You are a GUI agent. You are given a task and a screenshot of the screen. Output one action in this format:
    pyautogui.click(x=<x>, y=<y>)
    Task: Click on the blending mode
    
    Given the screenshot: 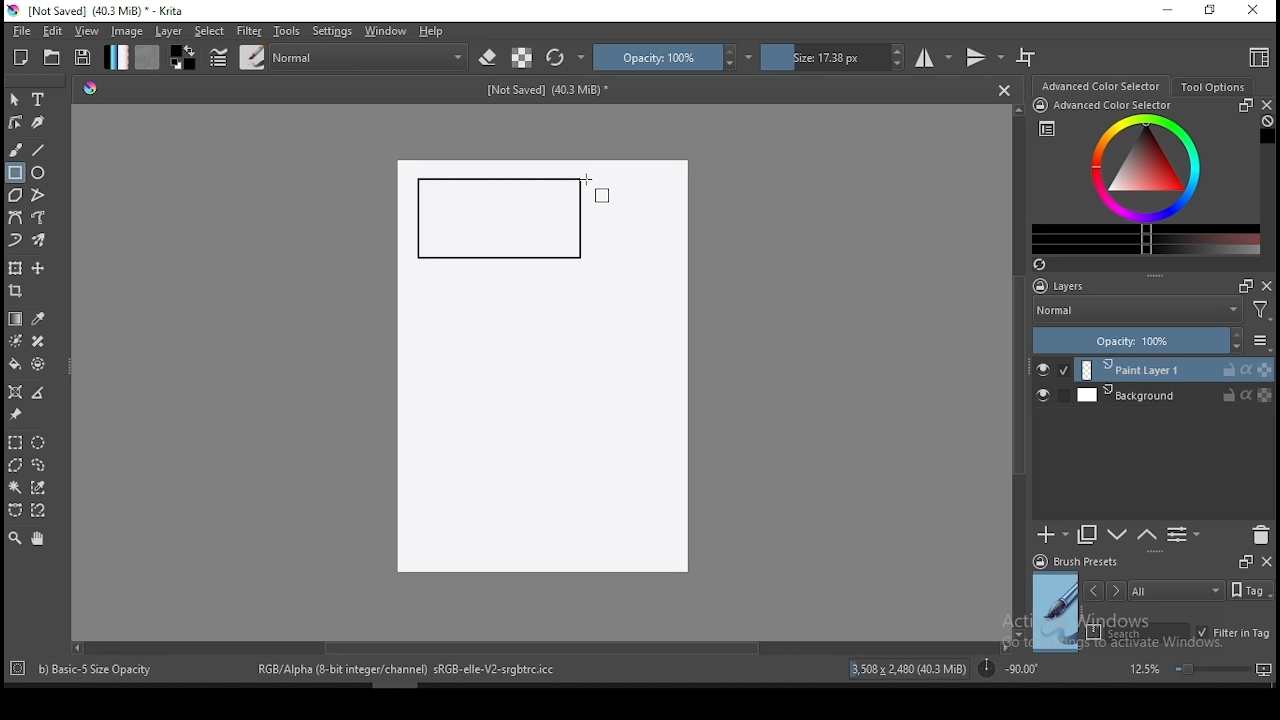 What is the action you would take?
    pyautogui.click(x=1136, y=312)
    